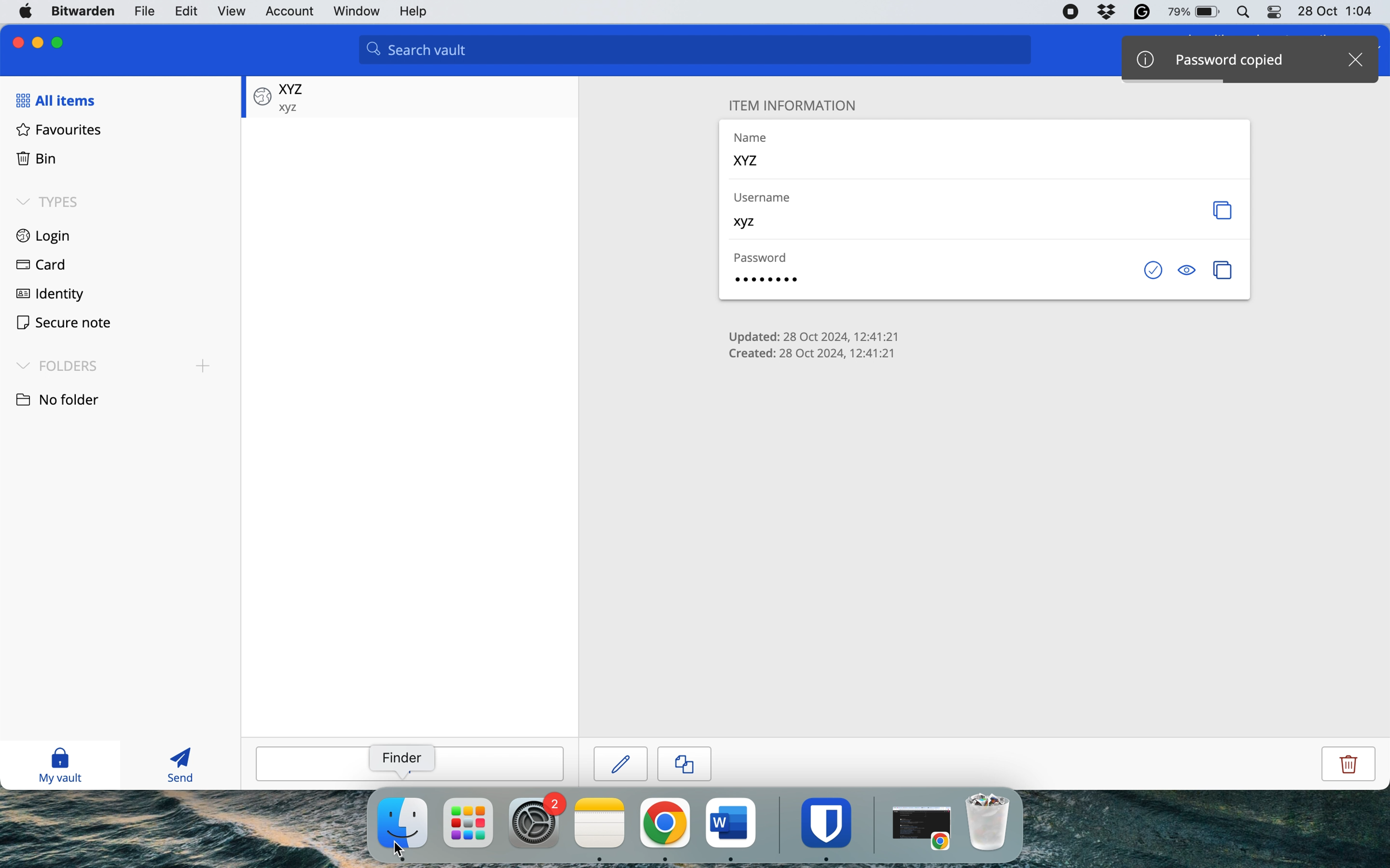  What do you see at coordinates (419, 13) in the screenshot?
I see `help` at bounding box center [419, 13].